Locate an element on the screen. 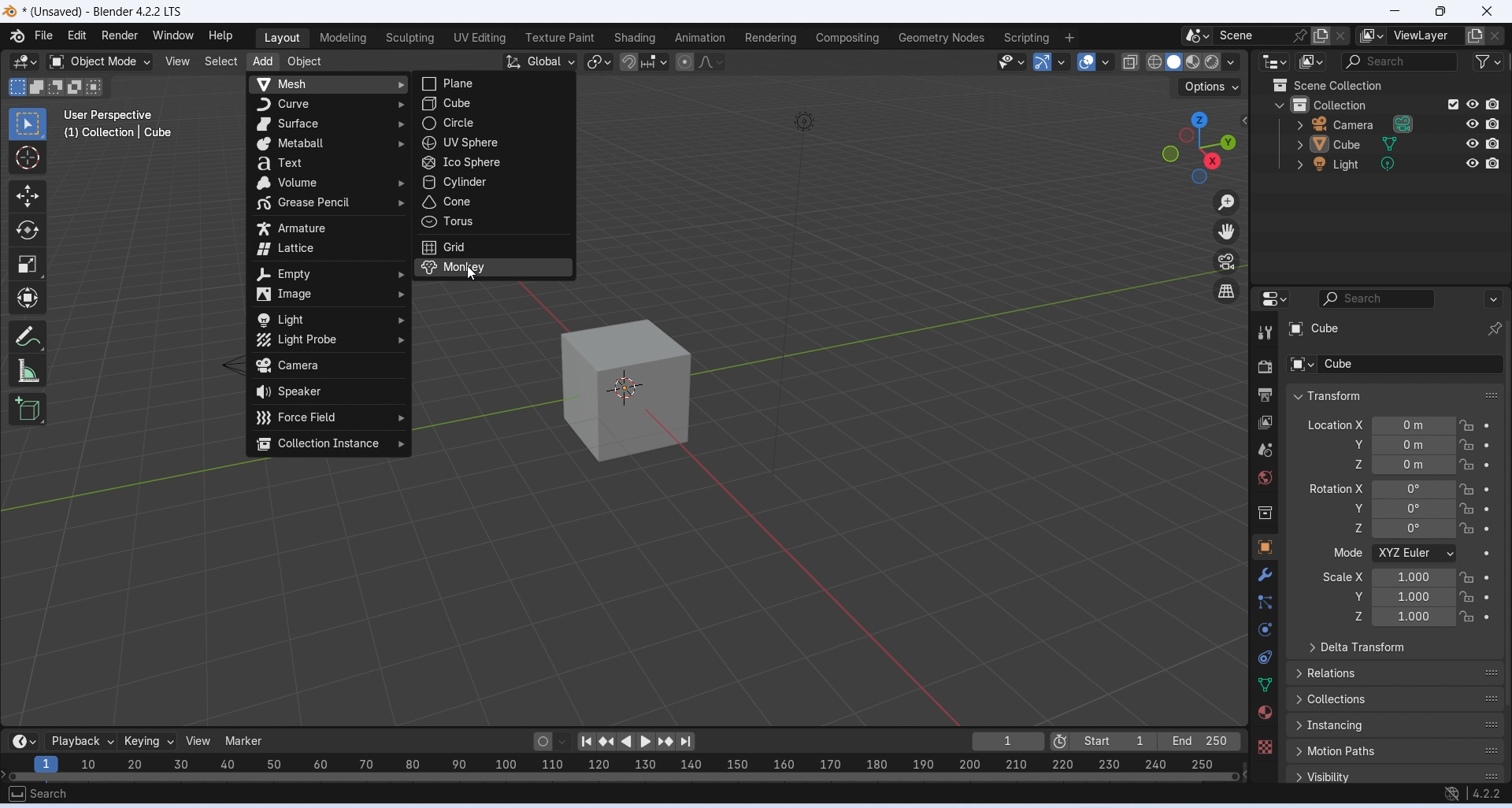 The width and height of the screenshot is (1512, 808). Cube is located at coordinates (1394, 364).